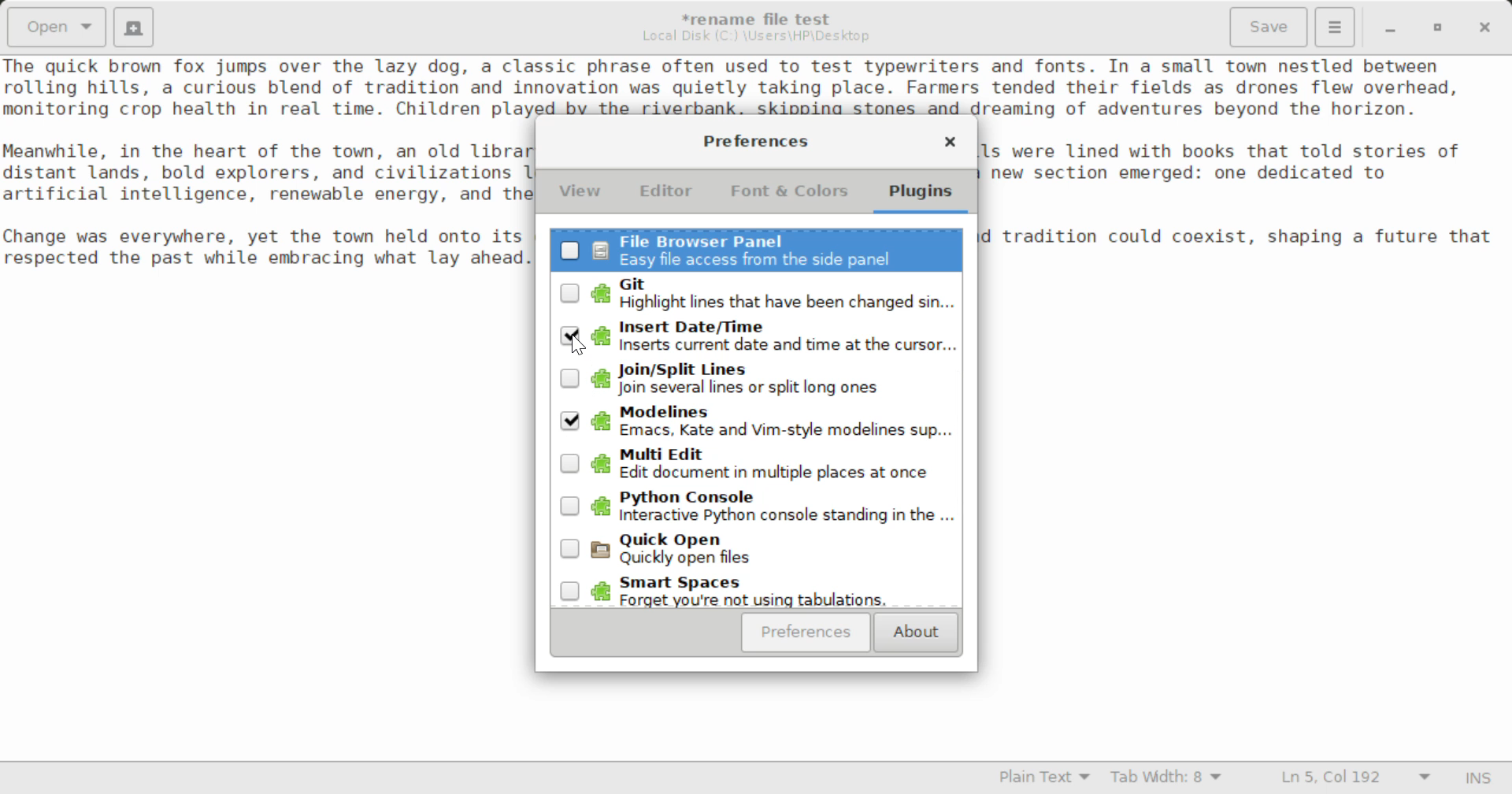 The image size is (1512, 794). I want to click on Unselected Git Plugin, so click(760, 293).